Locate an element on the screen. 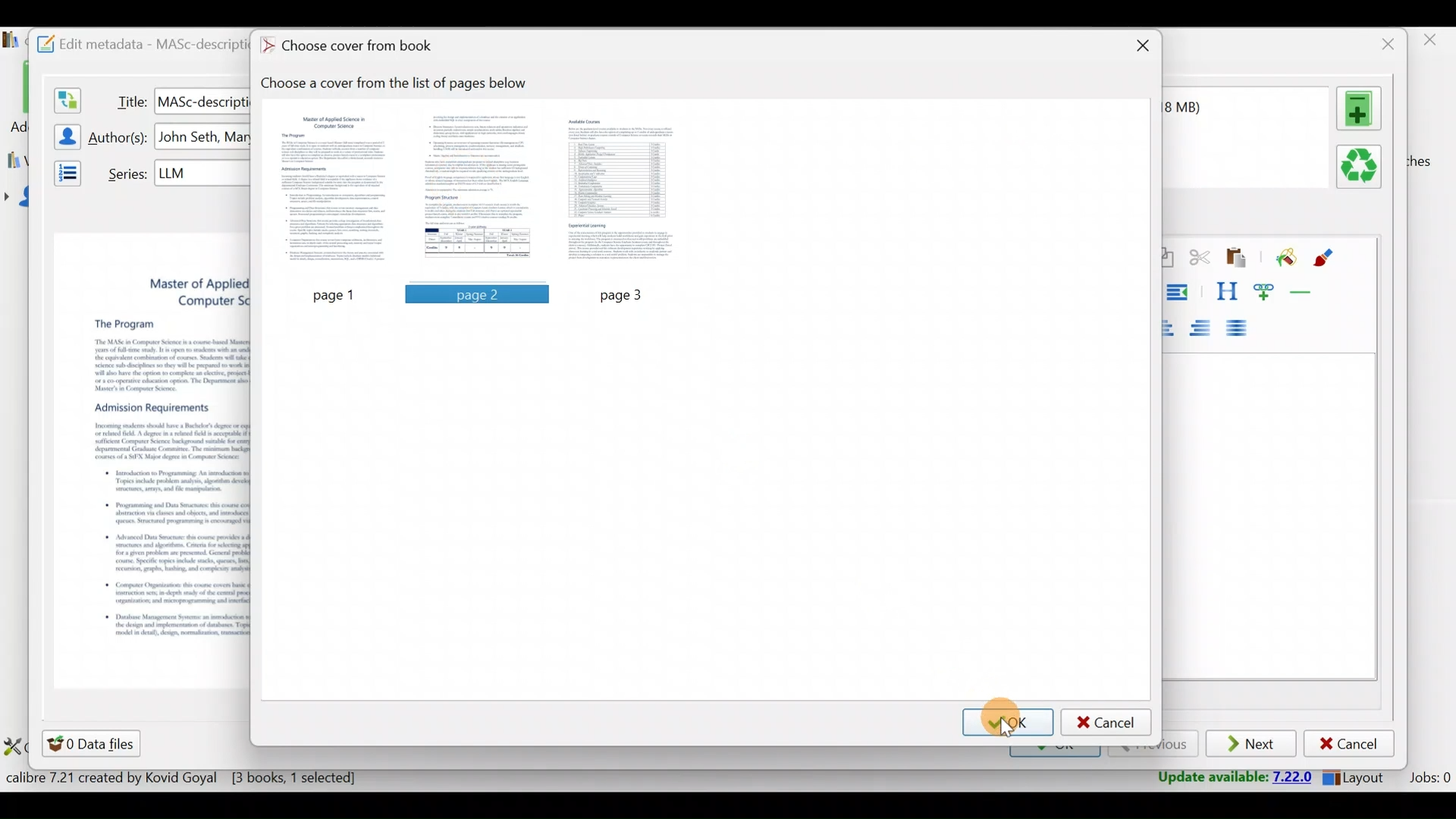 The image size is (1456, 819). Paste is located at coordinates (1239, 259).